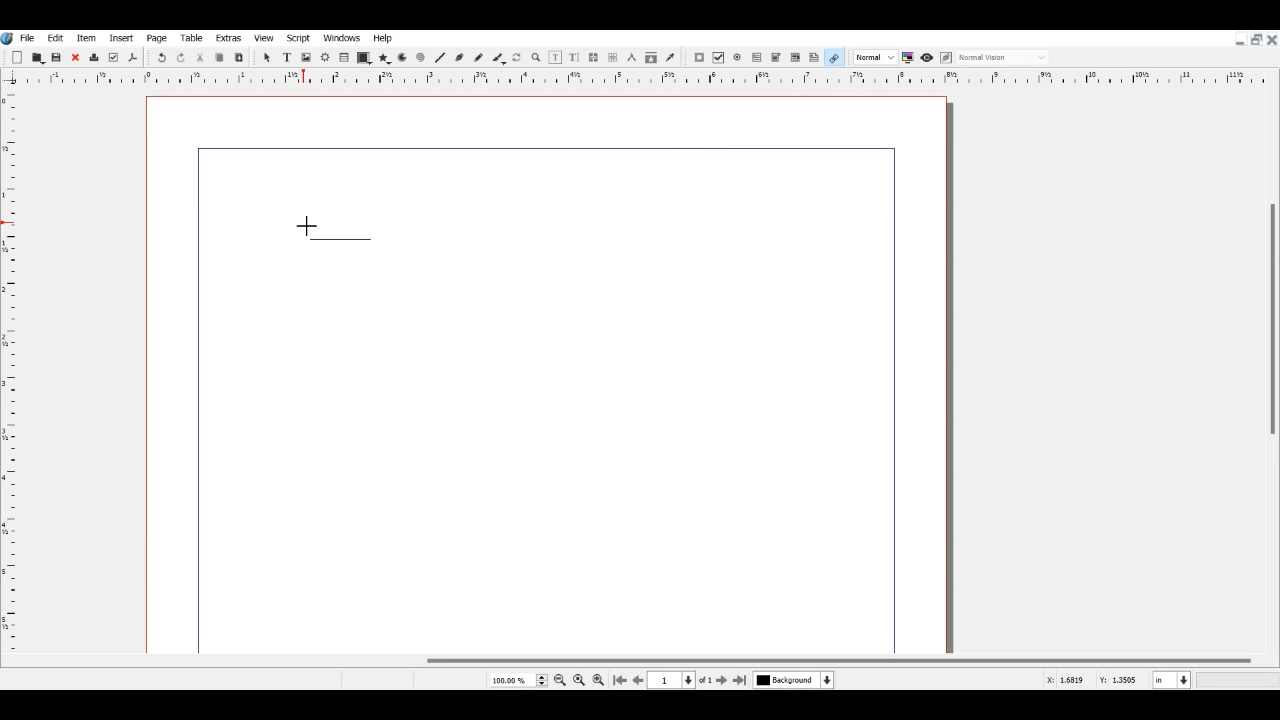 The image size is (1280, 720). Describe the element at coordinates (84, 38) in the screenshot. I see `Item` at that location.